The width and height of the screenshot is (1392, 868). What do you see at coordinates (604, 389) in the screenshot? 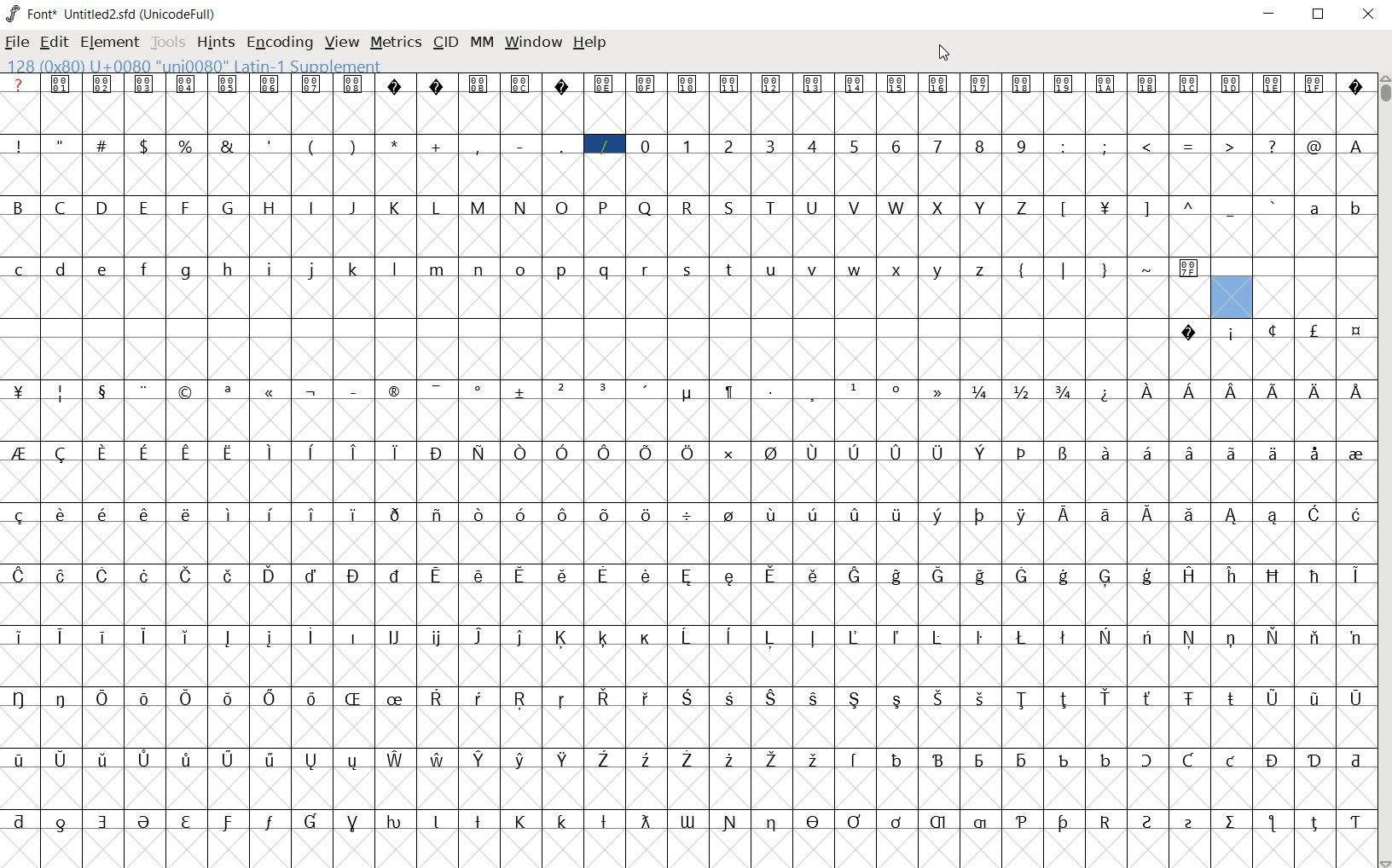
I see `glyph` at bounding box center [604, 389].